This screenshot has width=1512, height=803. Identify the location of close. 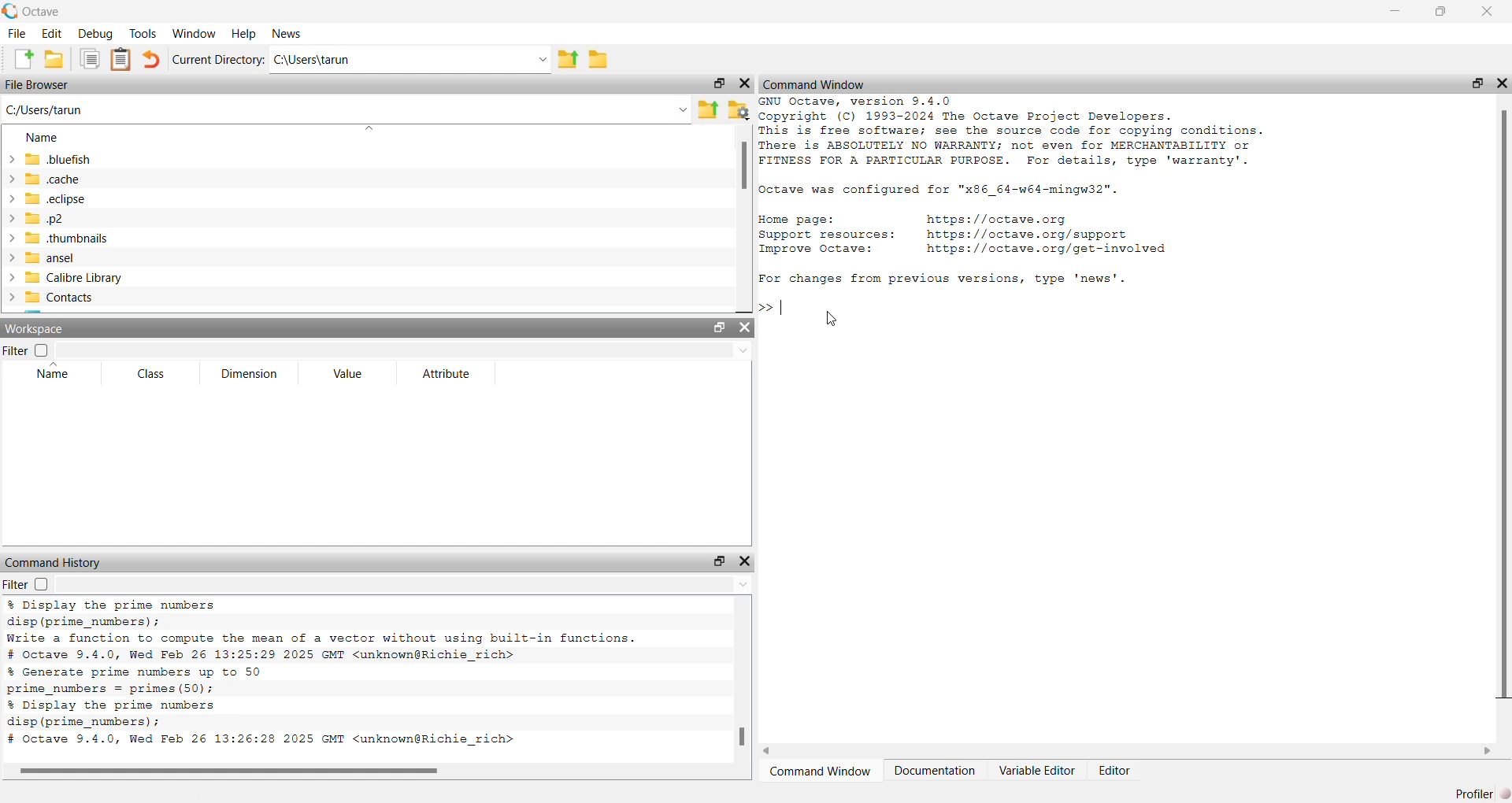
(1488, 12).